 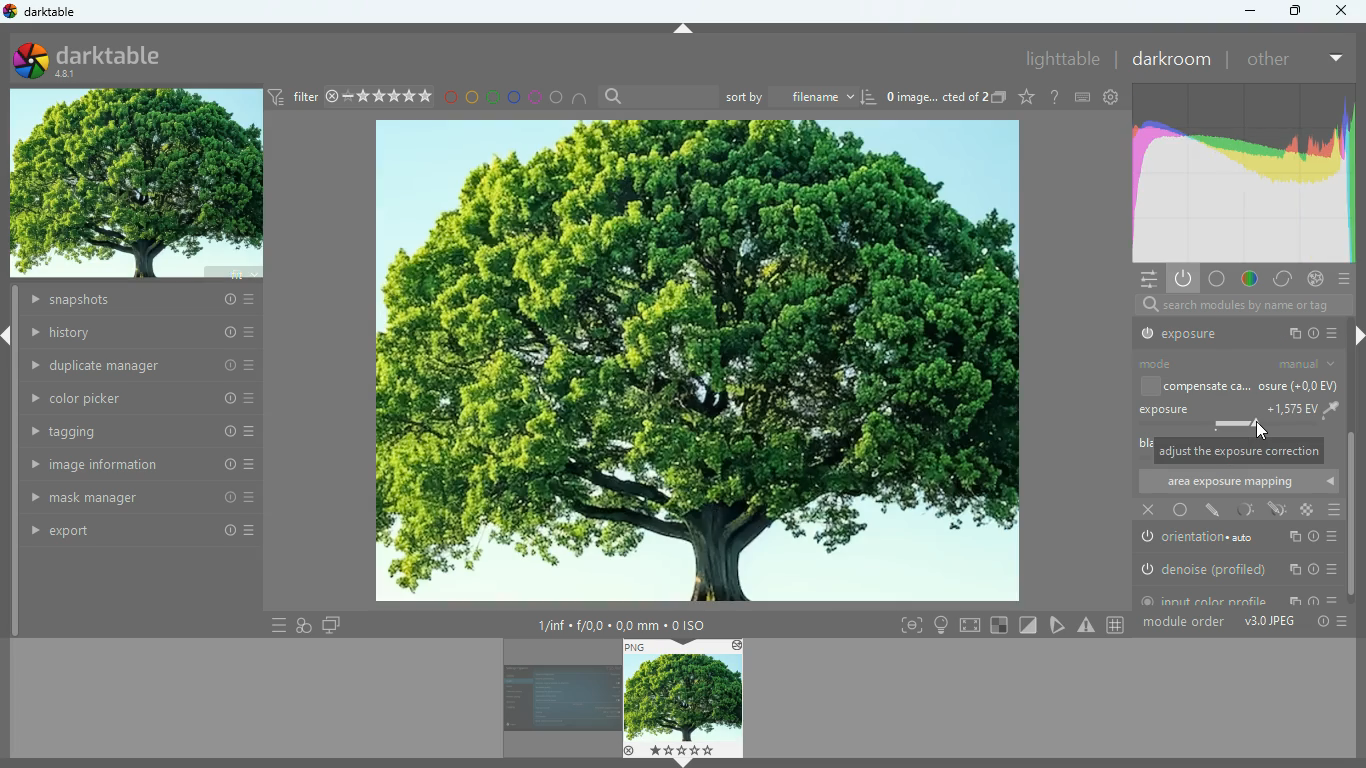 I want to click on compensate, so click(x=1245, y=385).